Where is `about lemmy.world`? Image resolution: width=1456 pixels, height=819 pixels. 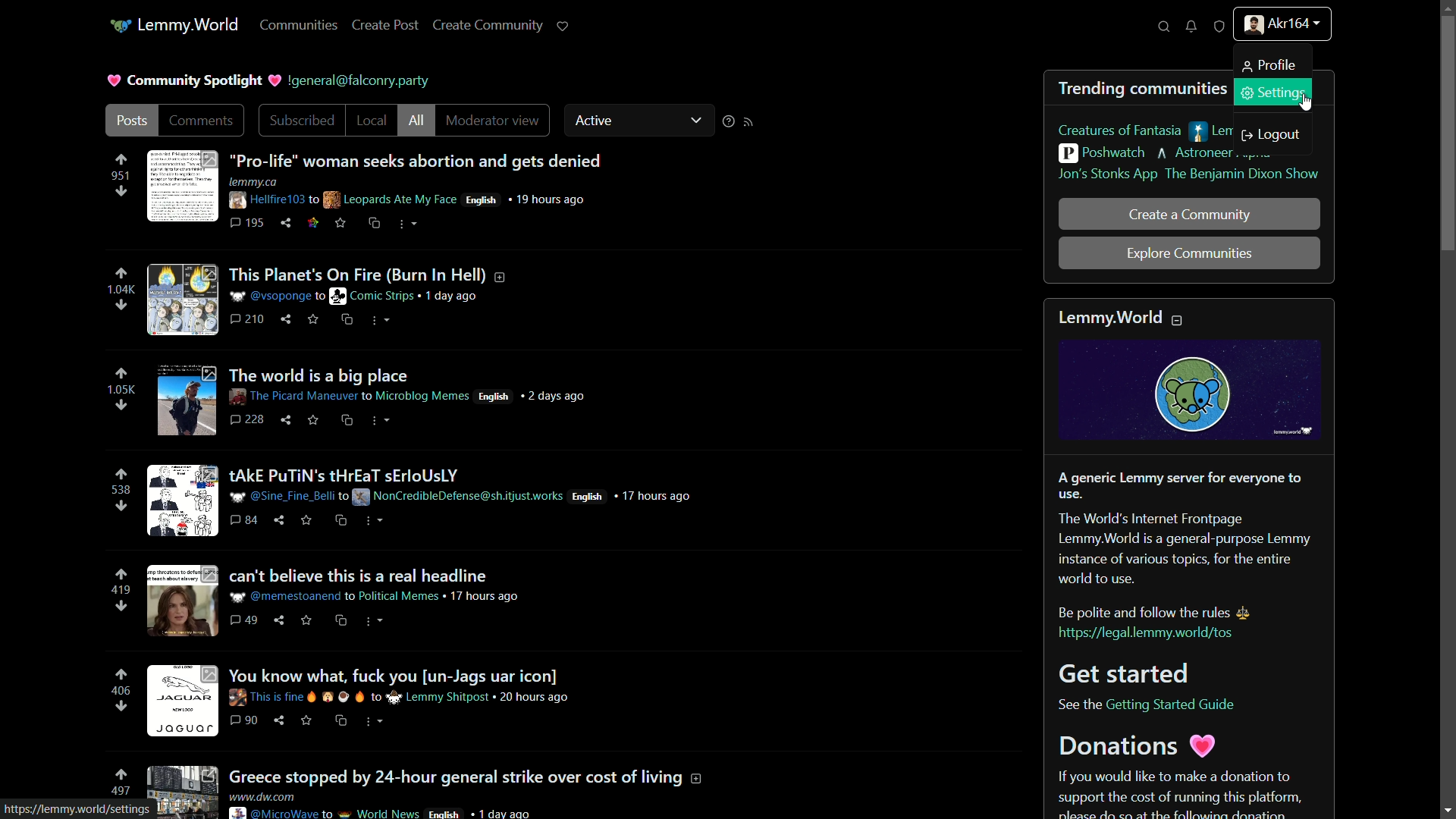
about lemmy.world is located at coordinates (1188, 558).